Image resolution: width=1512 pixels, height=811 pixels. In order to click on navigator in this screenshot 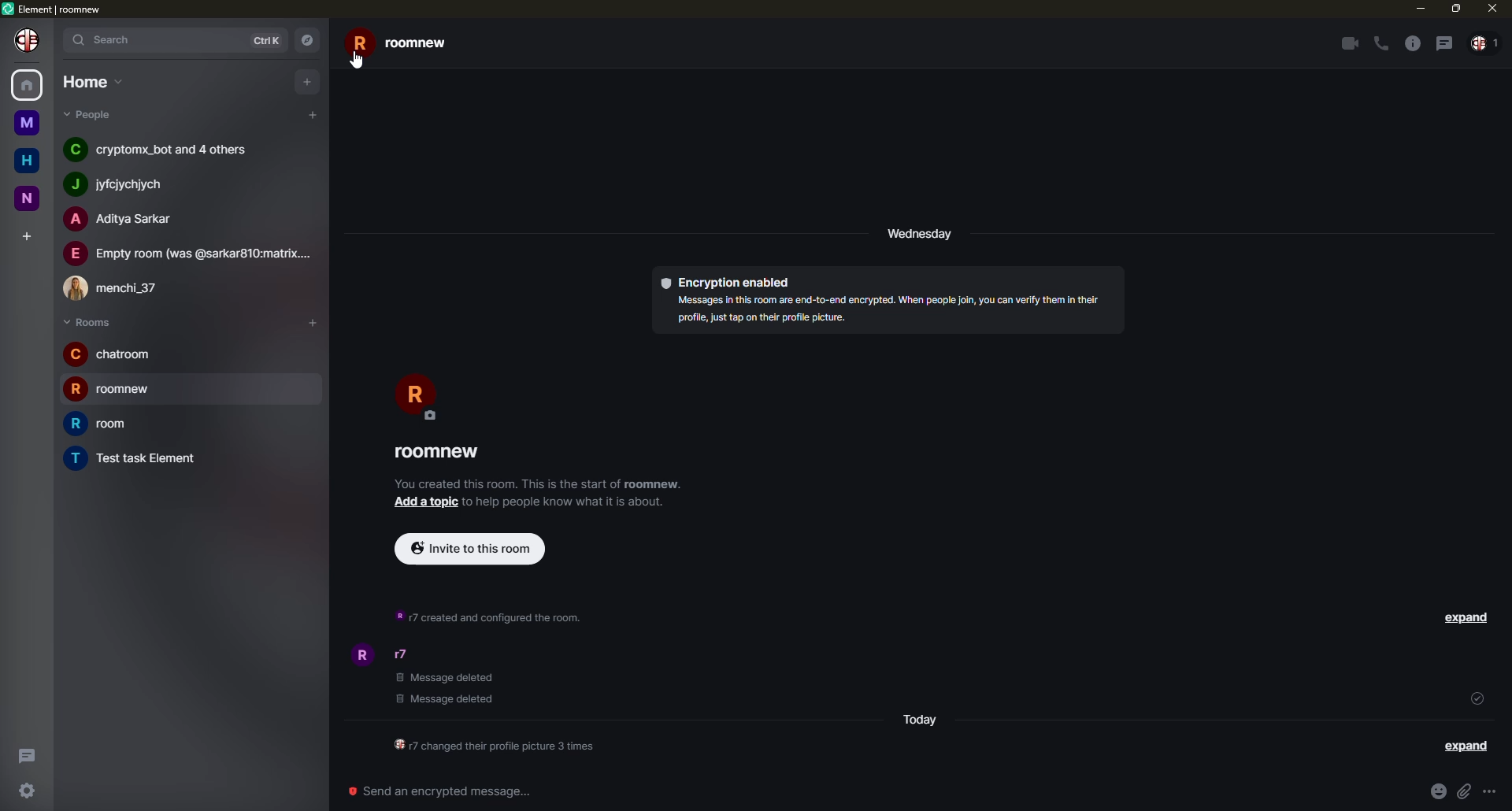, I will do `click(309, 39)`.